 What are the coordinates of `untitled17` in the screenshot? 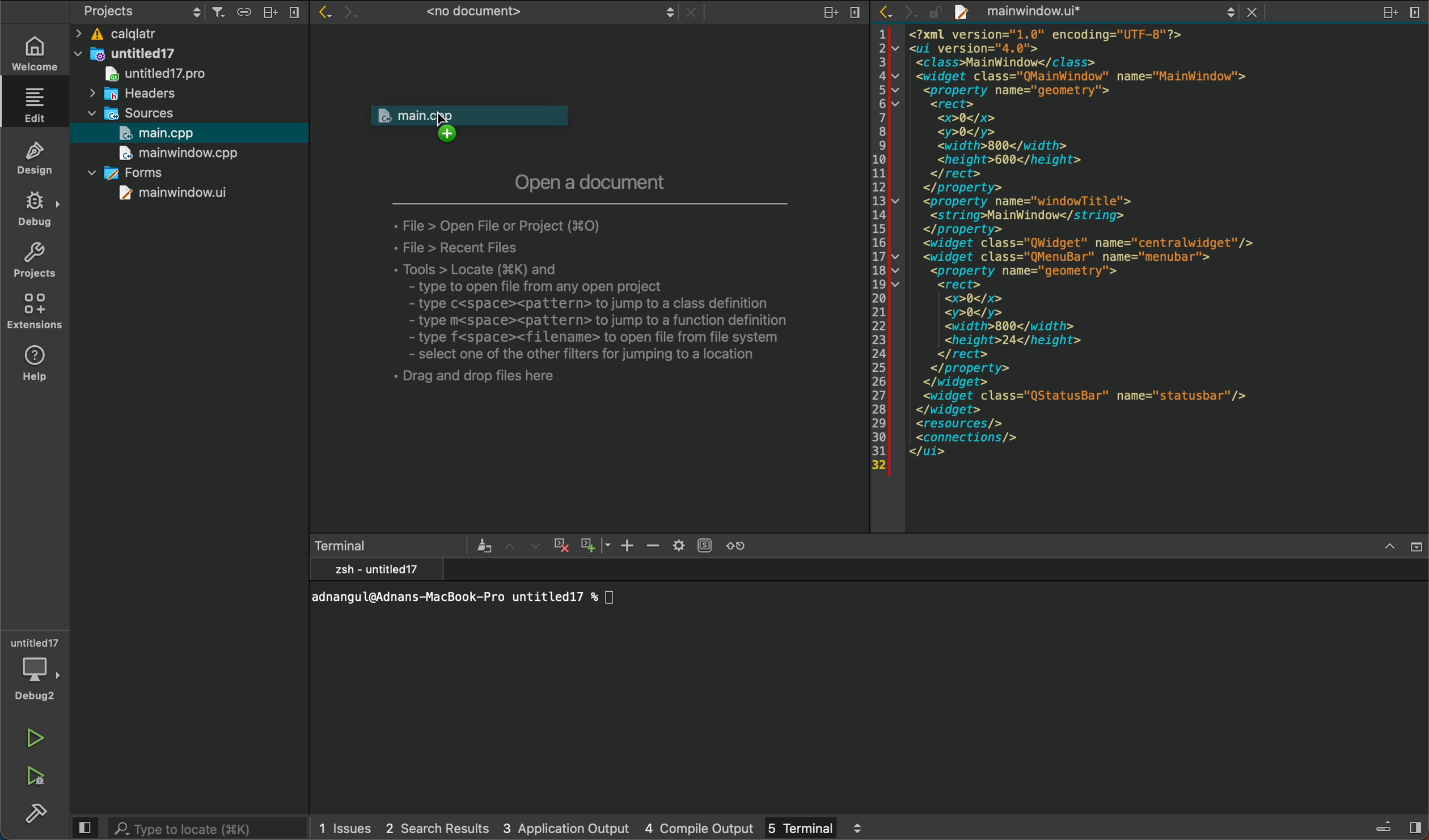 It's located at (126, 54).